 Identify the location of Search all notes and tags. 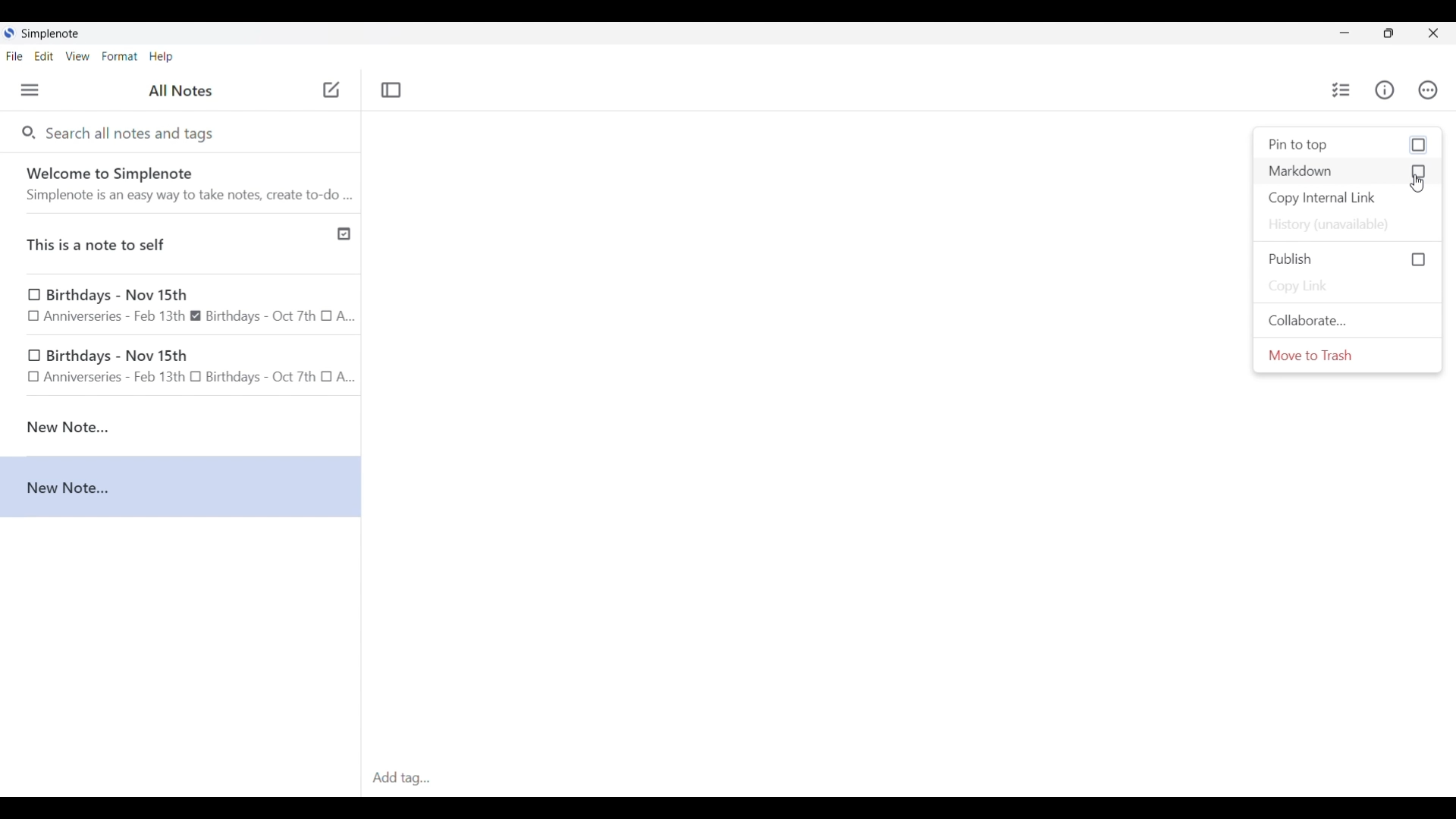
(133, 132).